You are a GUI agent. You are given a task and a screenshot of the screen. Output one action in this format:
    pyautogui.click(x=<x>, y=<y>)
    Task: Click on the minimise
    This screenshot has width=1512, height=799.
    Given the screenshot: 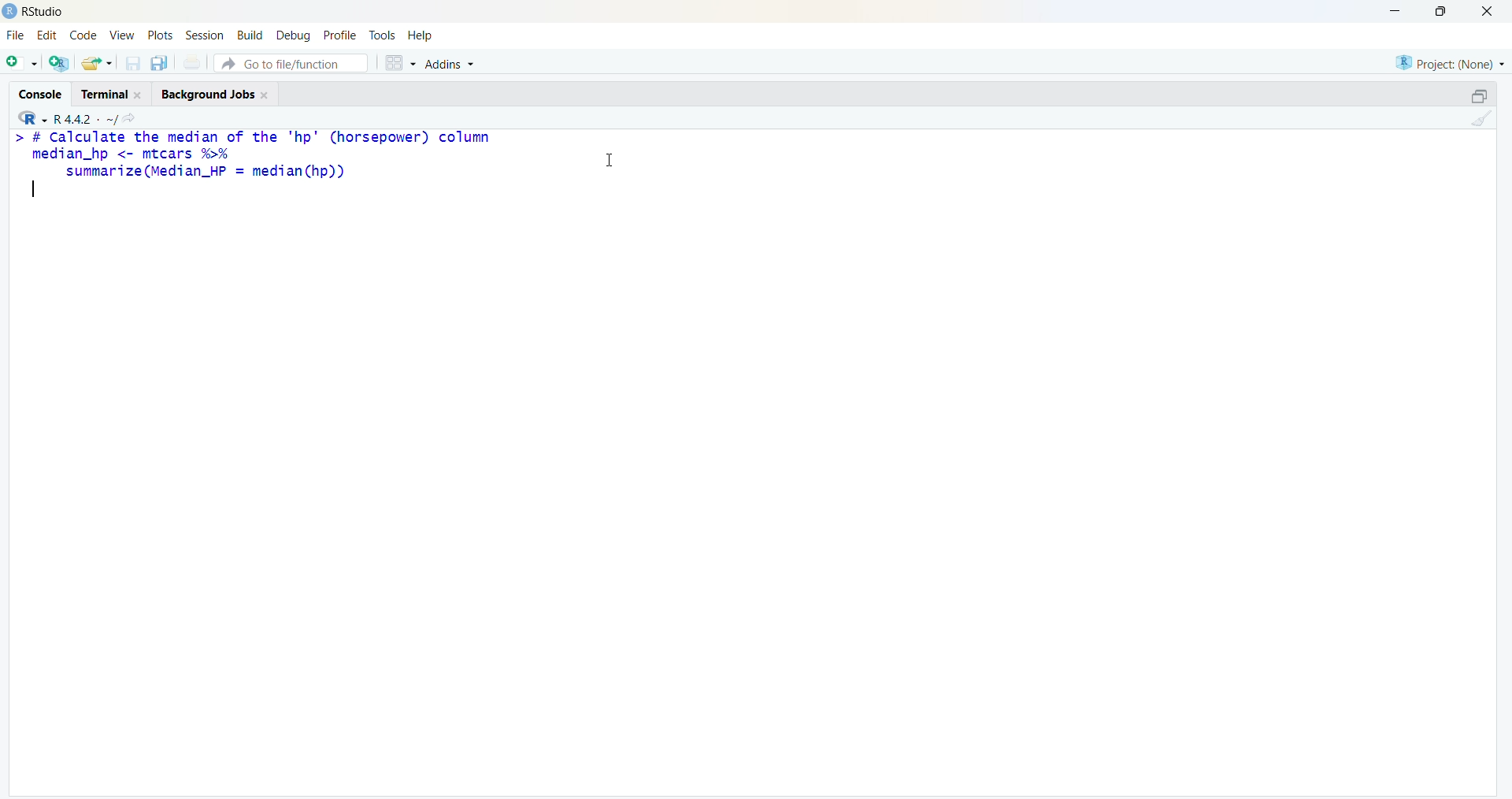 What is the action you would take?
    pyautogui.click(x=1395, y=10)
    